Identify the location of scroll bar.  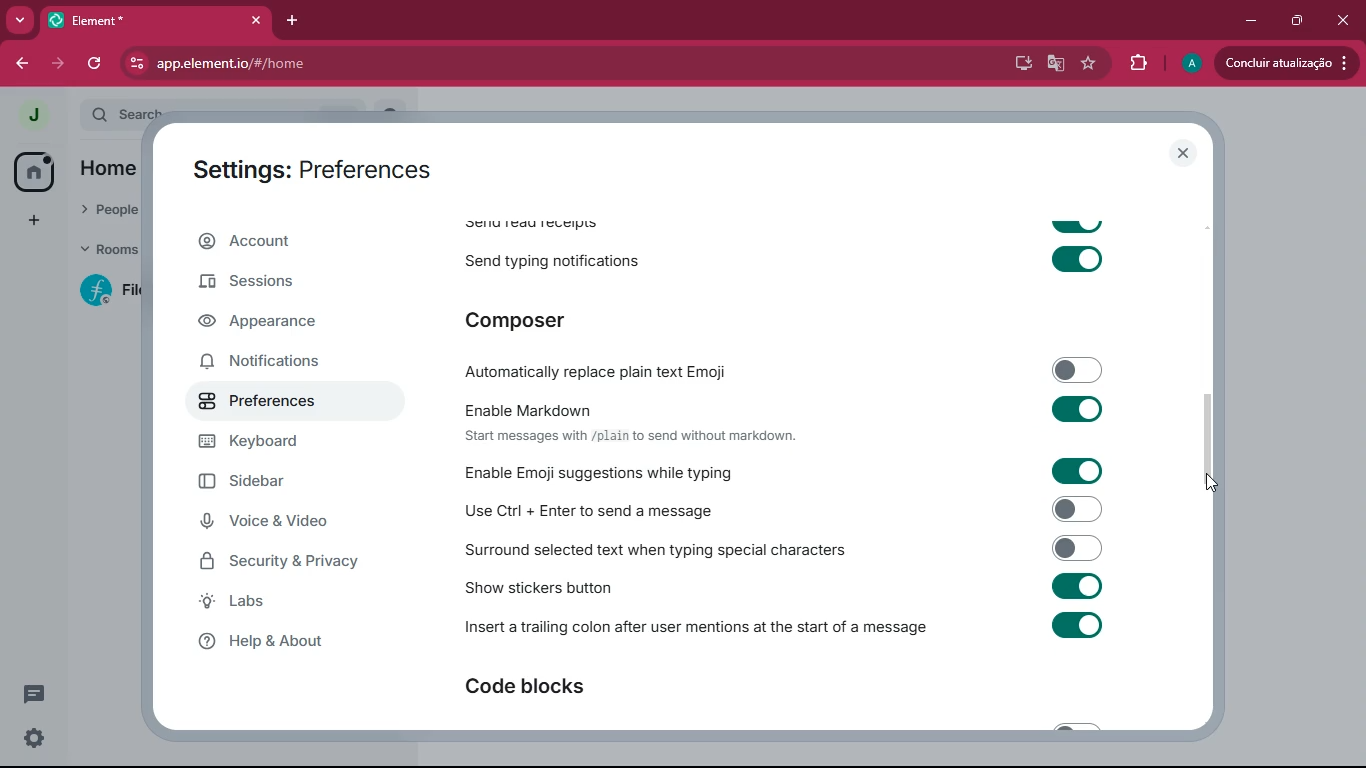
(1218, 442).